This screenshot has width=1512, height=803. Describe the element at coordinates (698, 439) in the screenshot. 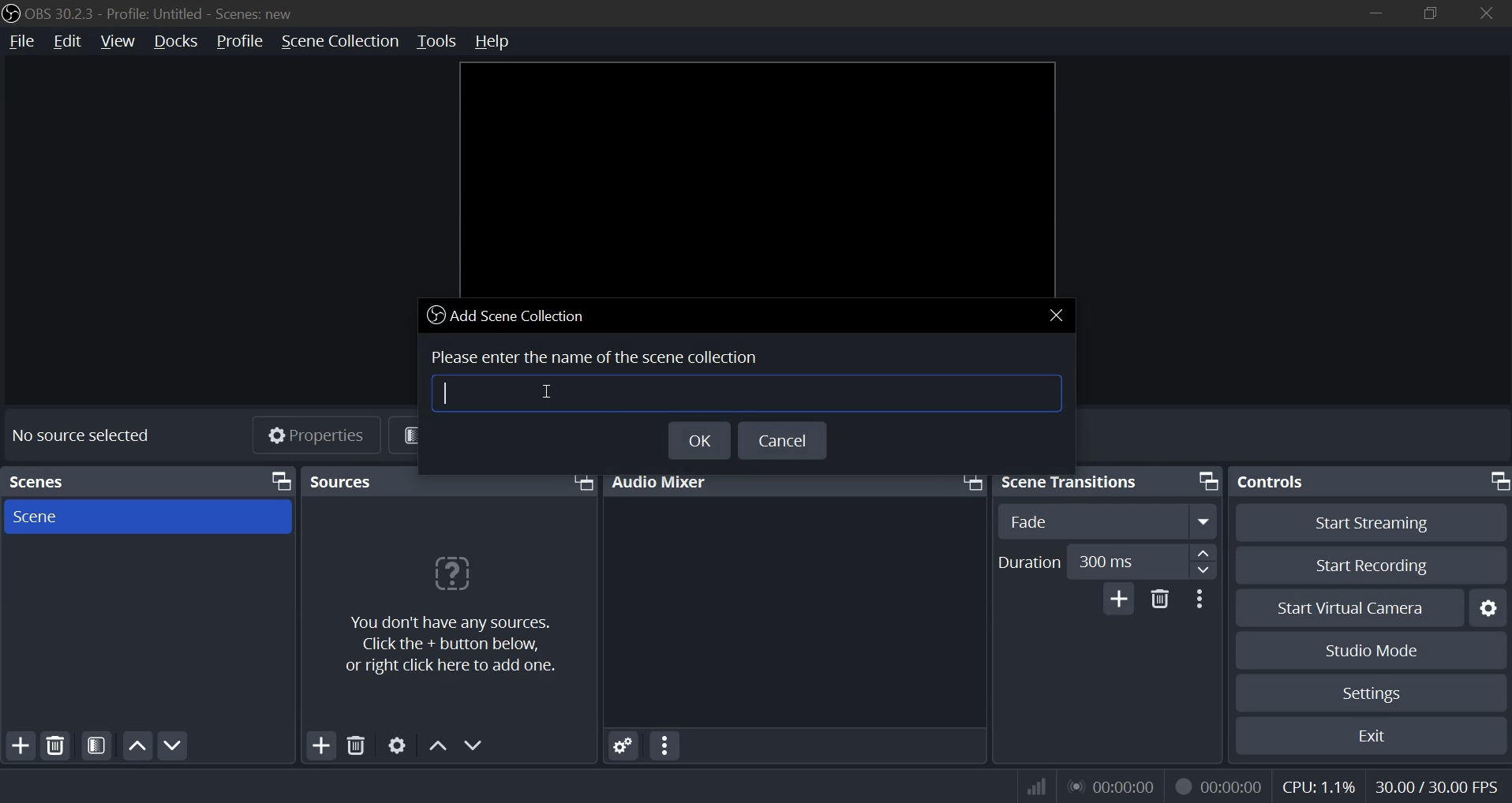

I see `ok` at that location.